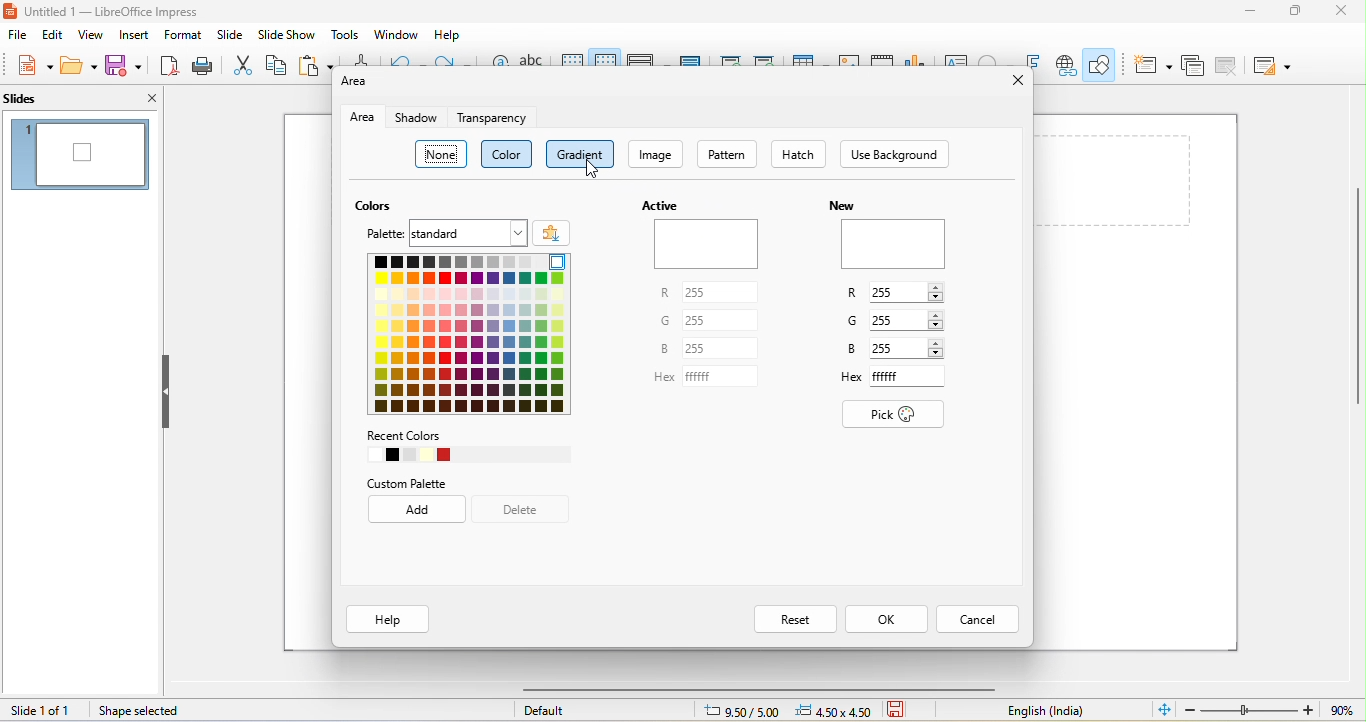 Image resolution: width=1366 pixels, height=722 pixels. What do you see at coordinates (180, 35) in the screenshot?
I see `format` at bounding box center [180, 35].